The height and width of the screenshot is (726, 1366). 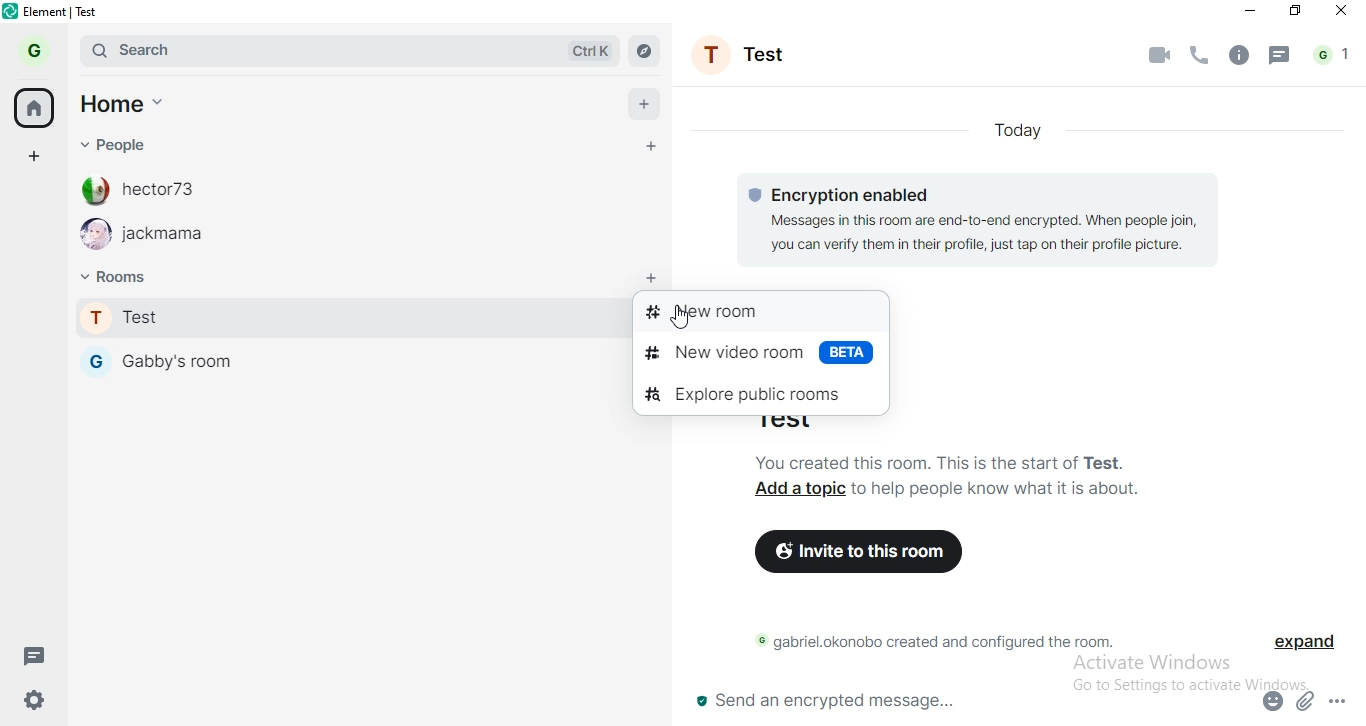 I want to click on close, so click(x=1344, y=14).